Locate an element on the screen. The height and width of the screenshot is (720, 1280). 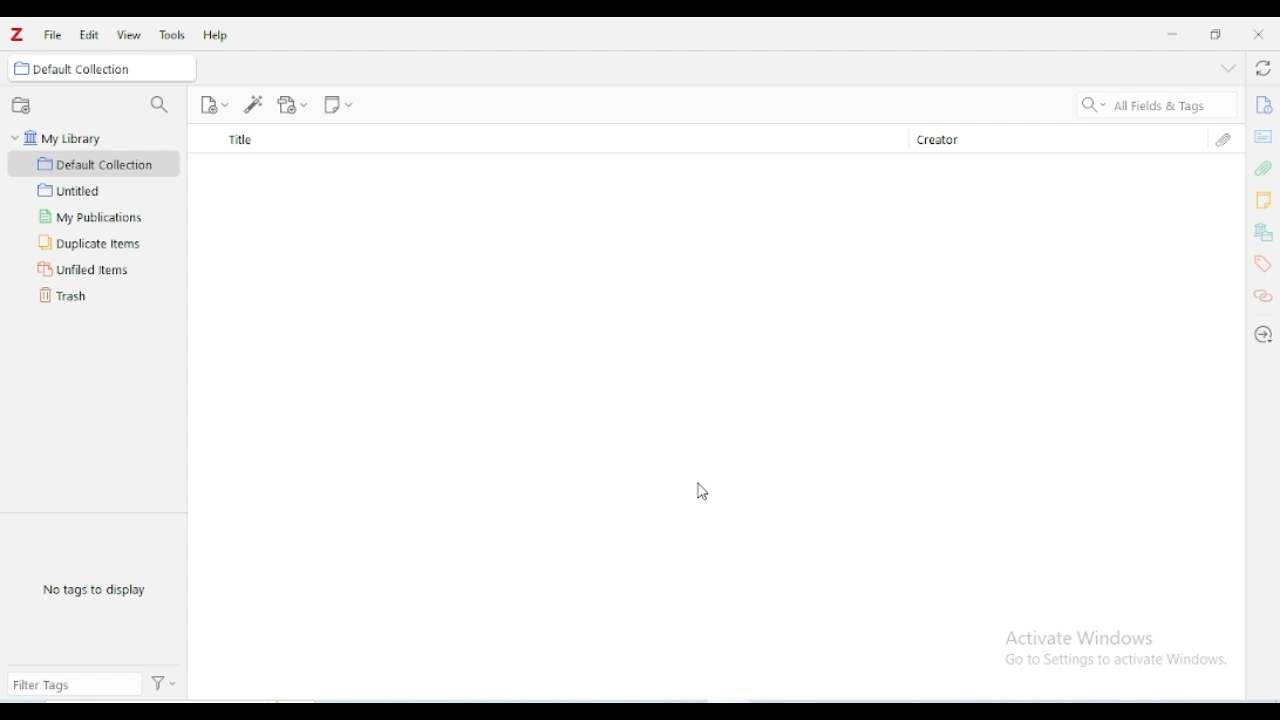
trash is located at coordinates (64, 295).